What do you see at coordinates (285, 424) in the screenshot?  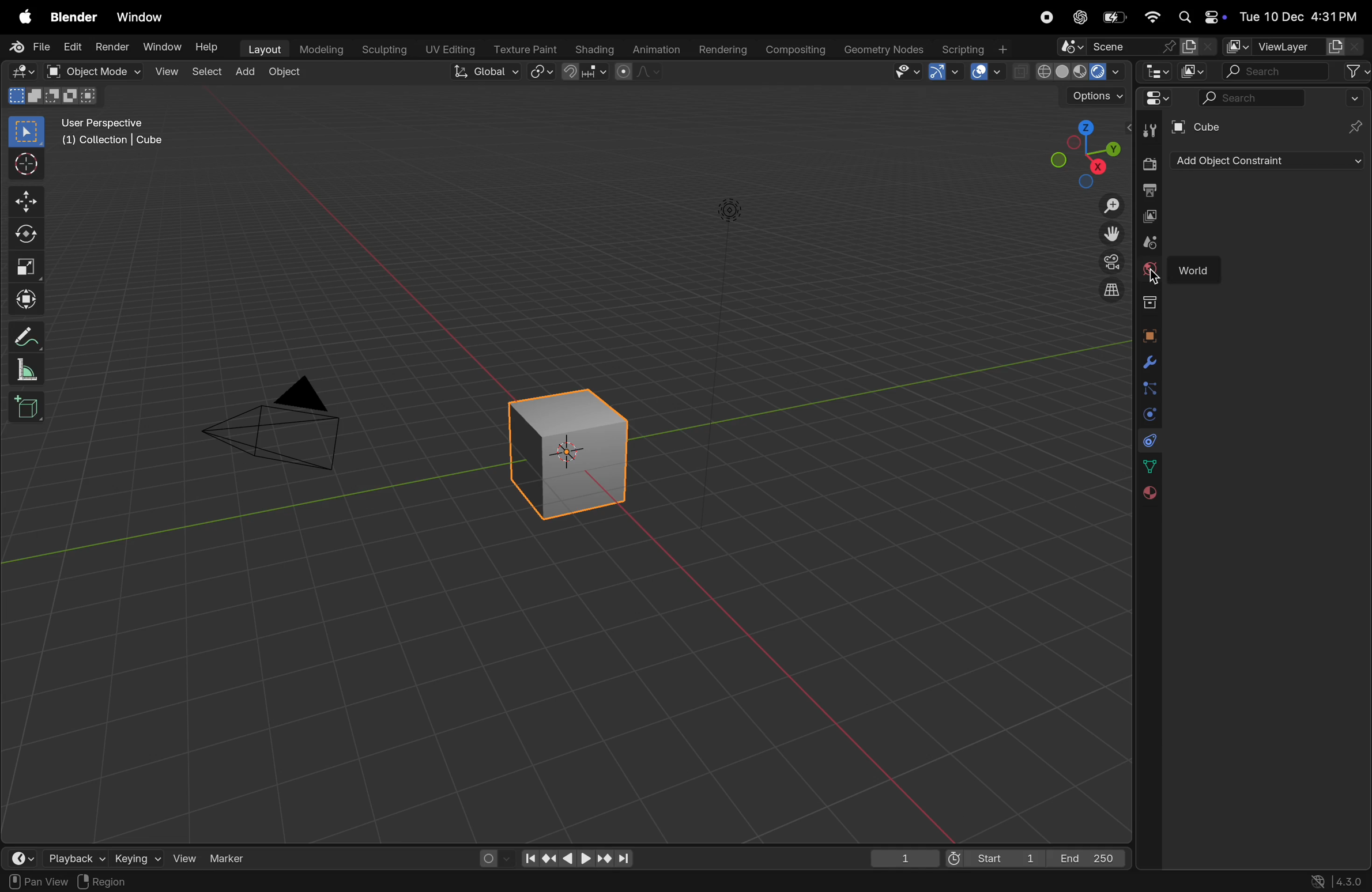 I see `camera` at bounding box center [285, 424].